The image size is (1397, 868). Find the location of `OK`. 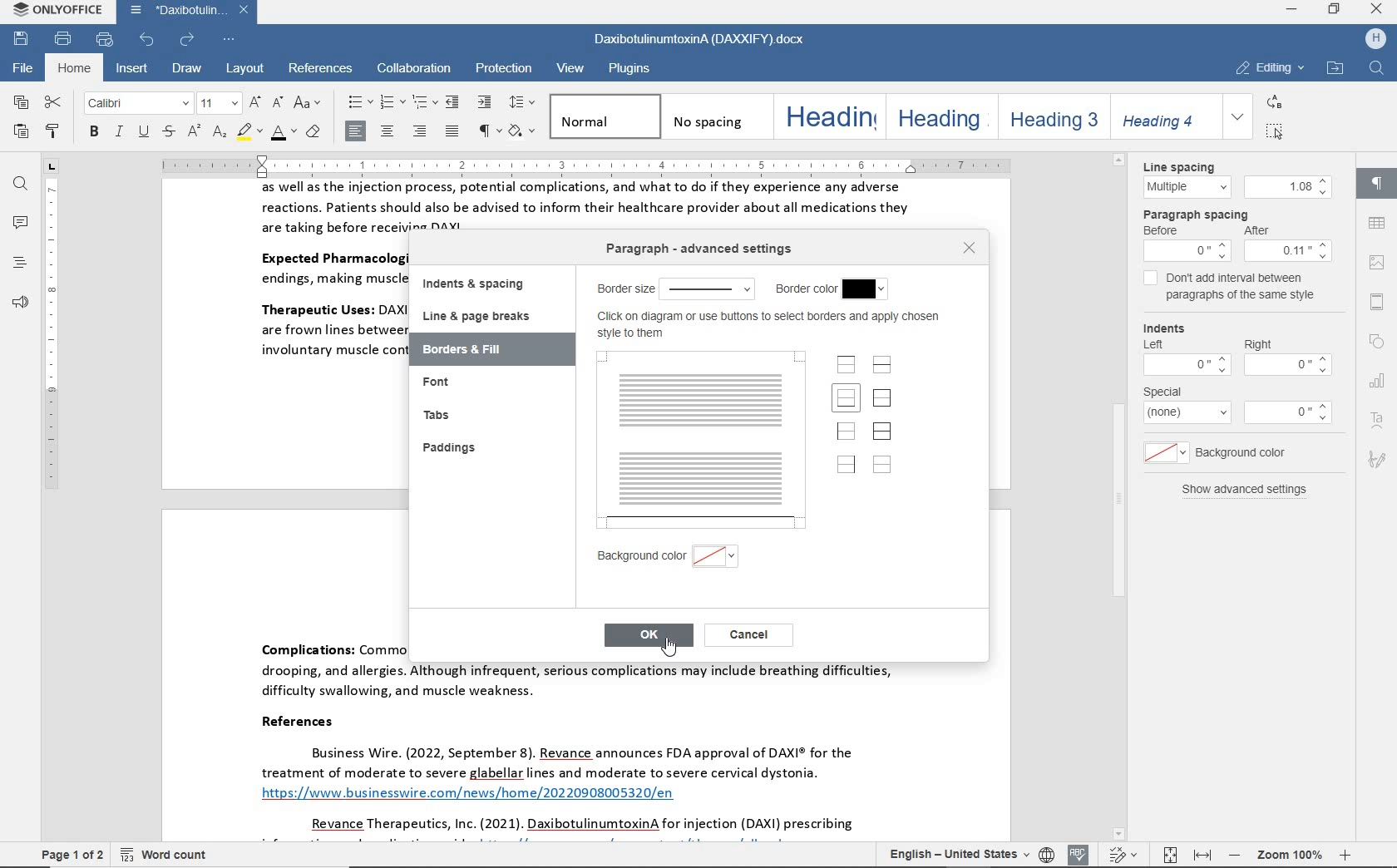

OK is located at coordinates (652, 636).